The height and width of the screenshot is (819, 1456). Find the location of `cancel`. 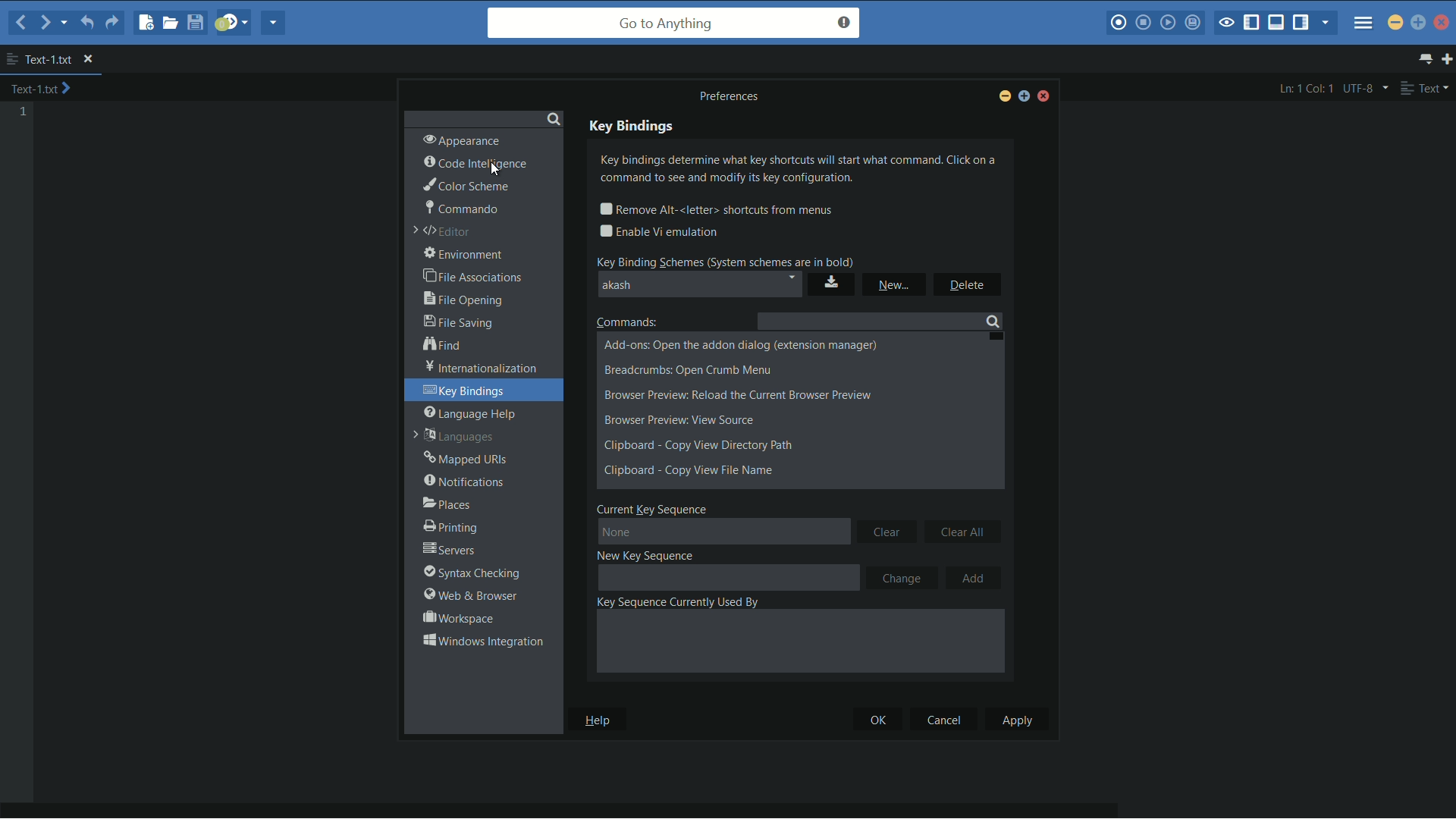

cancel is located at coordinates (943, 720).